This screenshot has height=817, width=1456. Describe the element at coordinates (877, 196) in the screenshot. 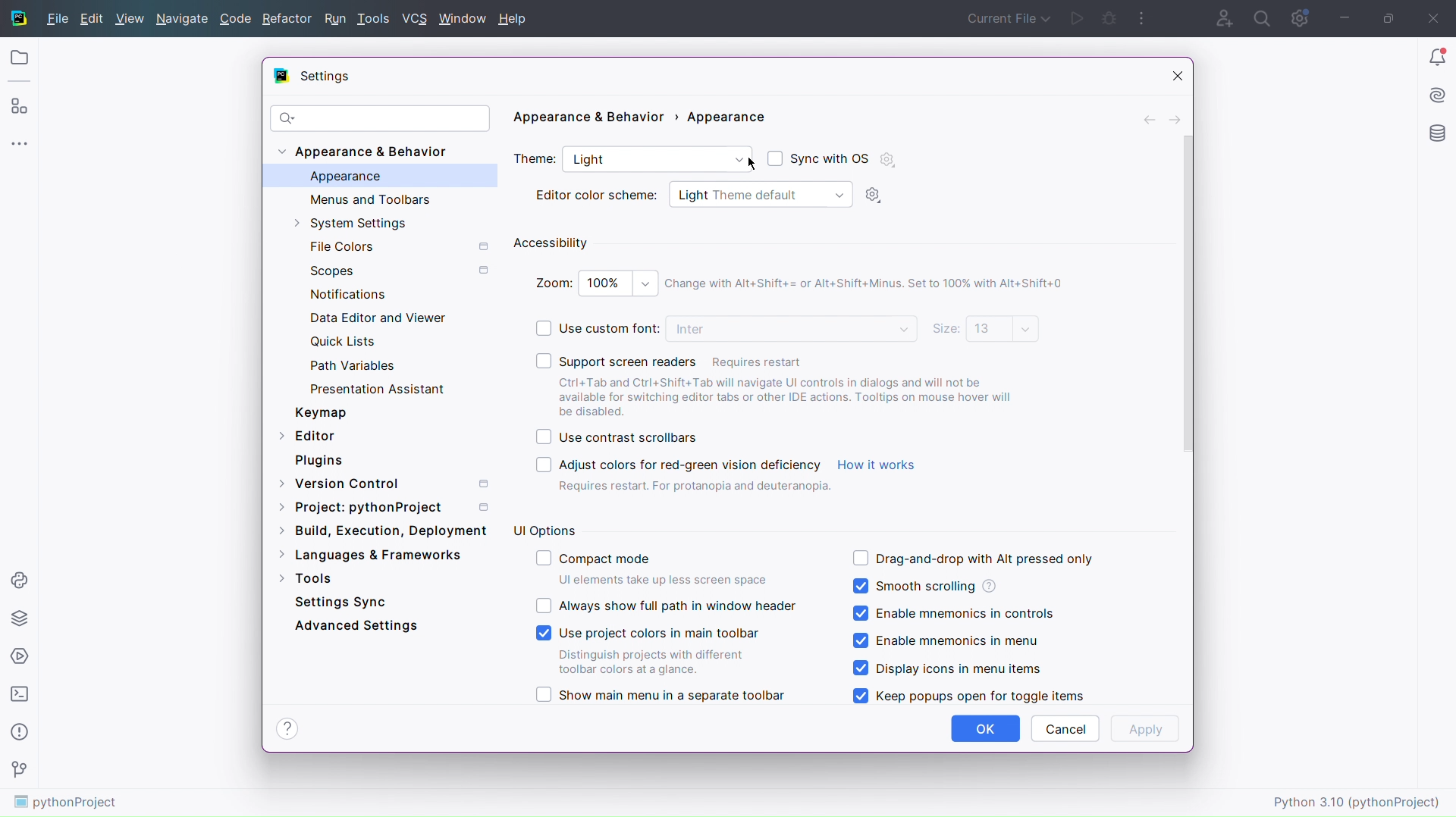

I see `light settings` at that location.